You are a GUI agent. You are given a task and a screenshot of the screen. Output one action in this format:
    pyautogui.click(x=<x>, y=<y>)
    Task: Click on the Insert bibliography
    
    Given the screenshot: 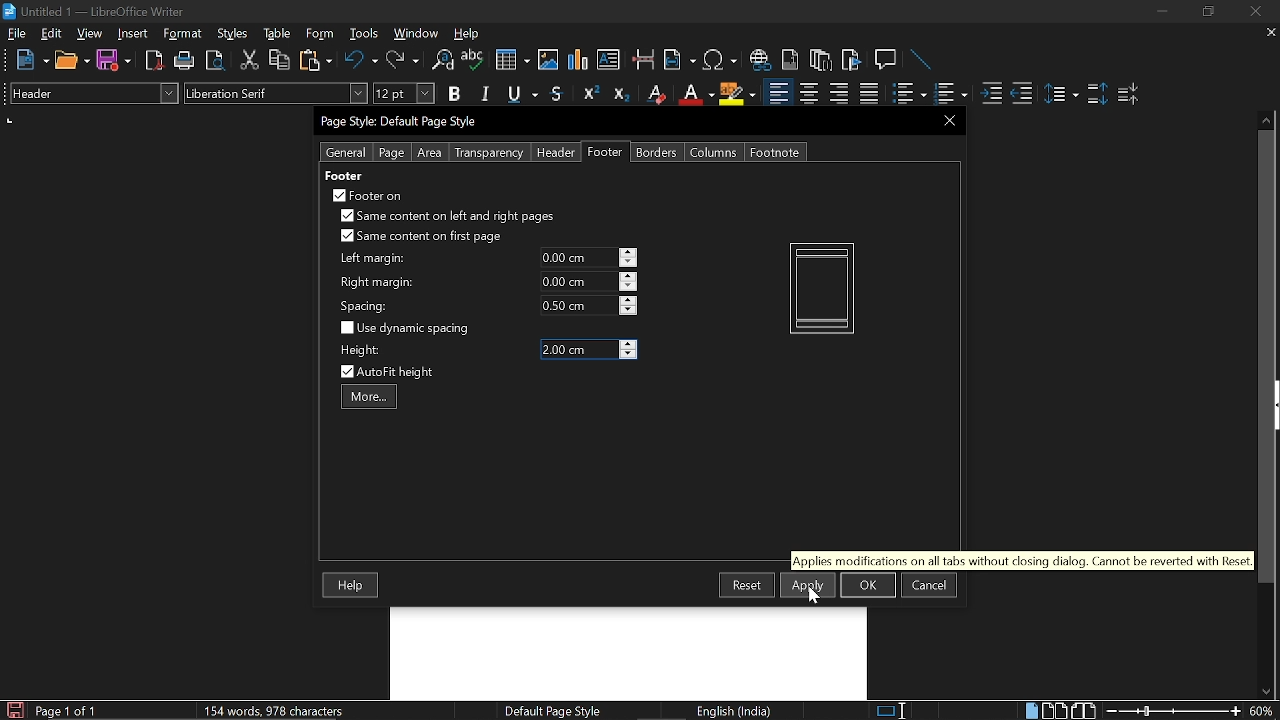 What is the action you would take?
    pyautogui.click(x=852, y=61)
    